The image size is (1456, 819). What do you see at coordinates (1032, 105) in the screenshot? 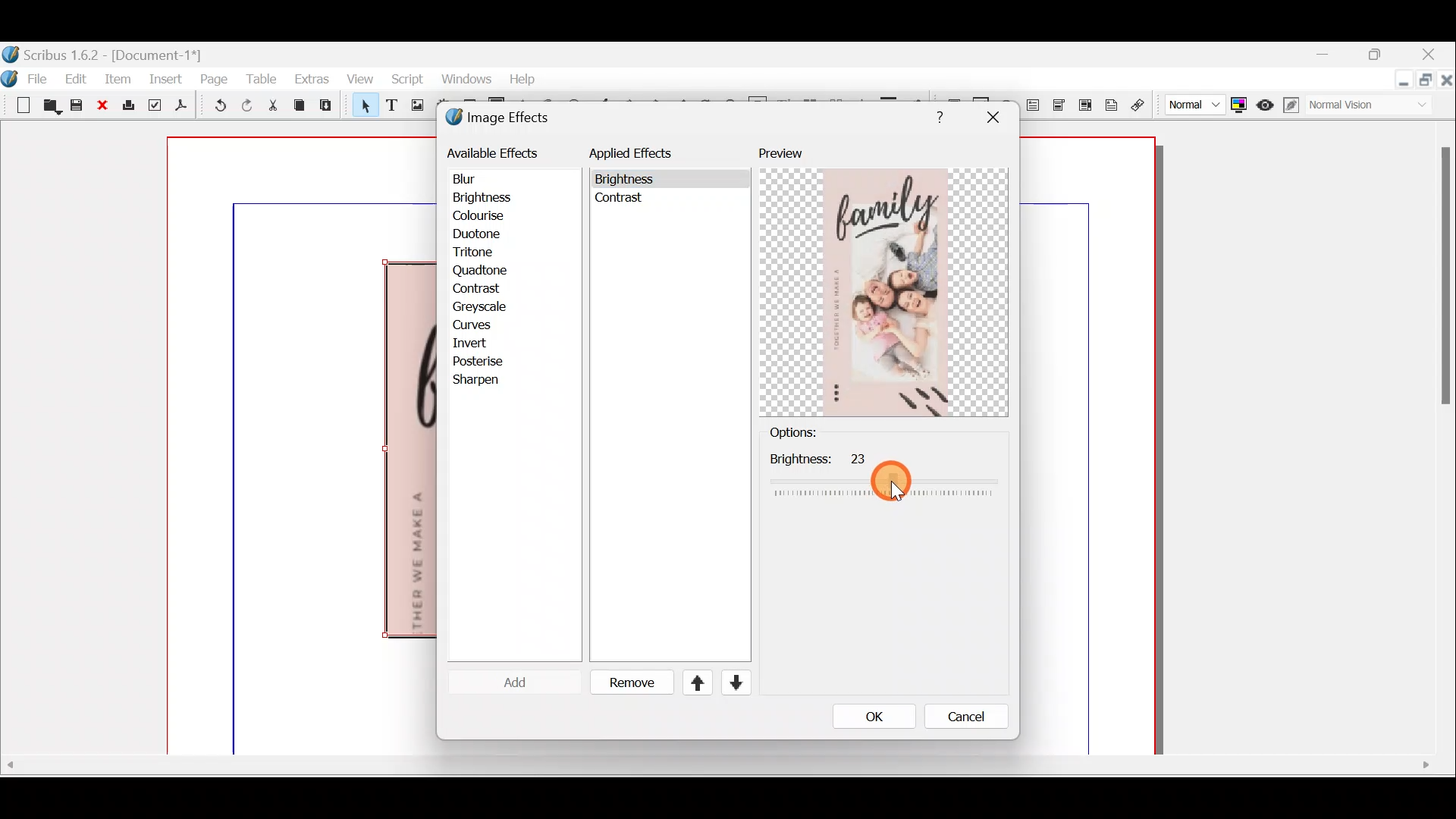
I see `PDF text field` at bounding box center [1032, 105].